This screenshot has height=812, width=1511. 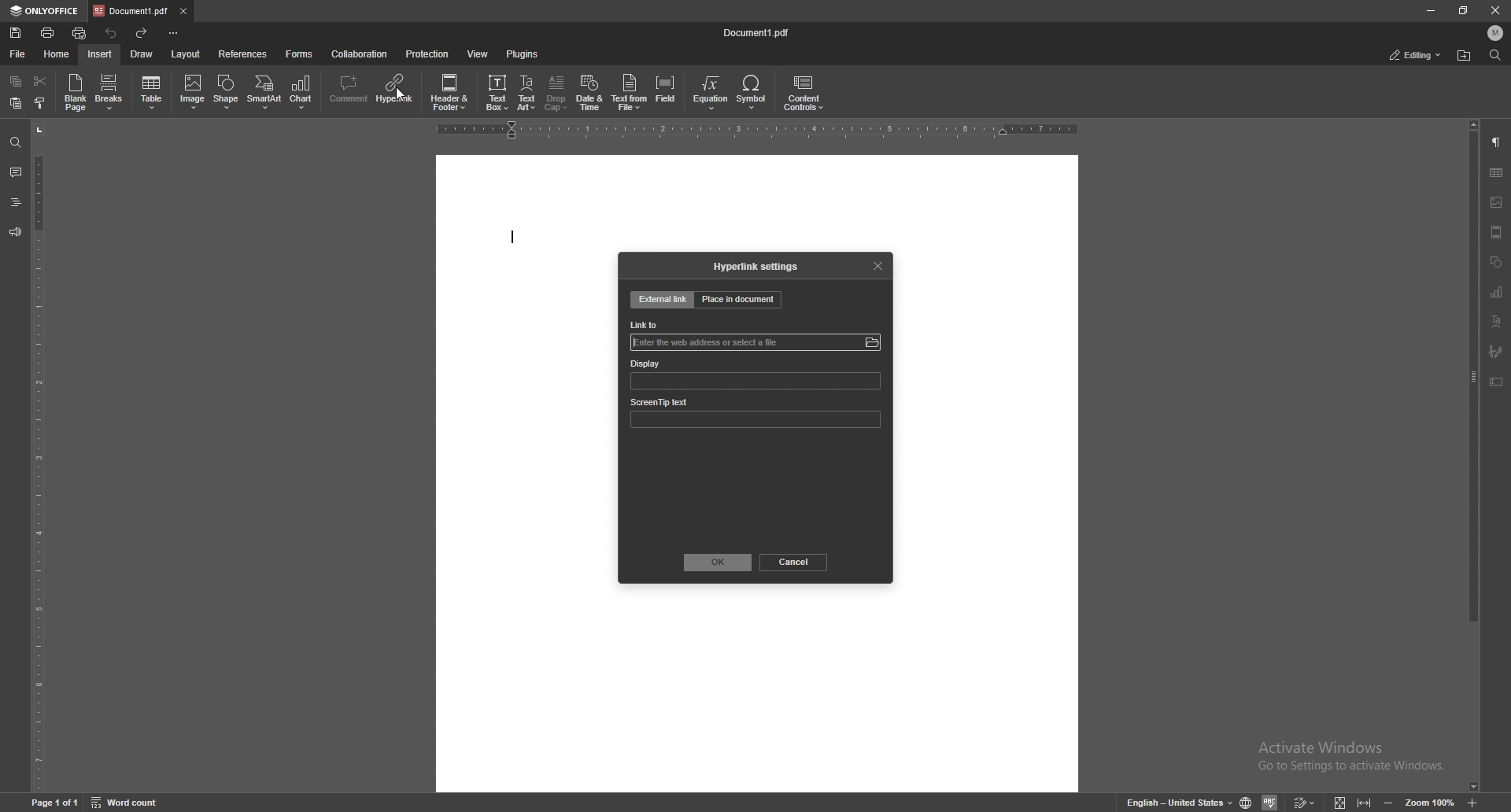 What do you see at coordinates (265, 92) in the screenshot?
I see `smart art` at bounding box center [265, 92].